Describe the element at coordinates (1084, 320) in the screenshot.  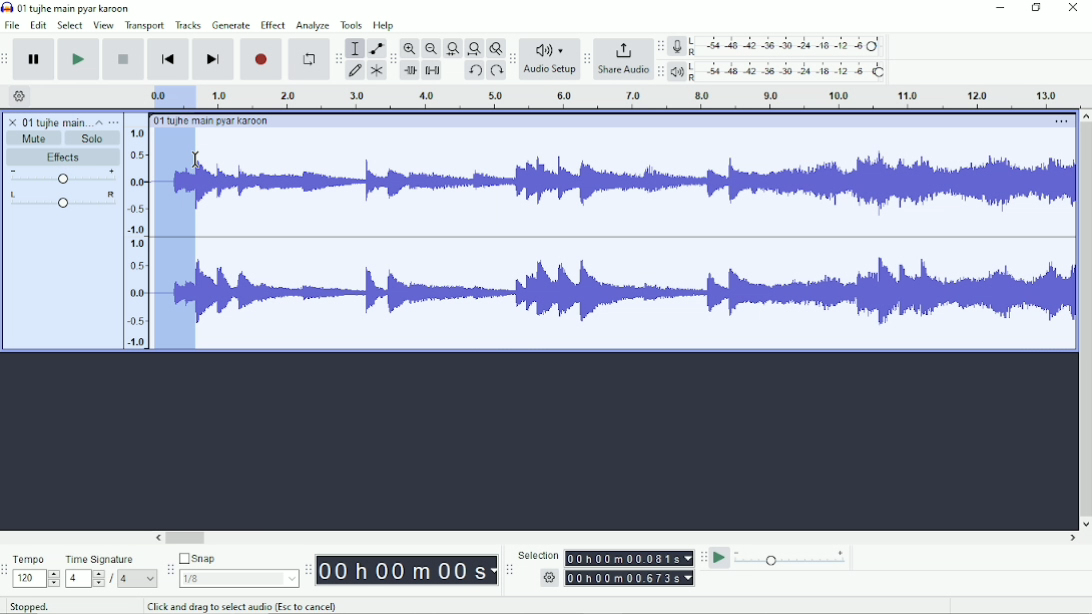
I see `Vertical scrollbar` at that location.